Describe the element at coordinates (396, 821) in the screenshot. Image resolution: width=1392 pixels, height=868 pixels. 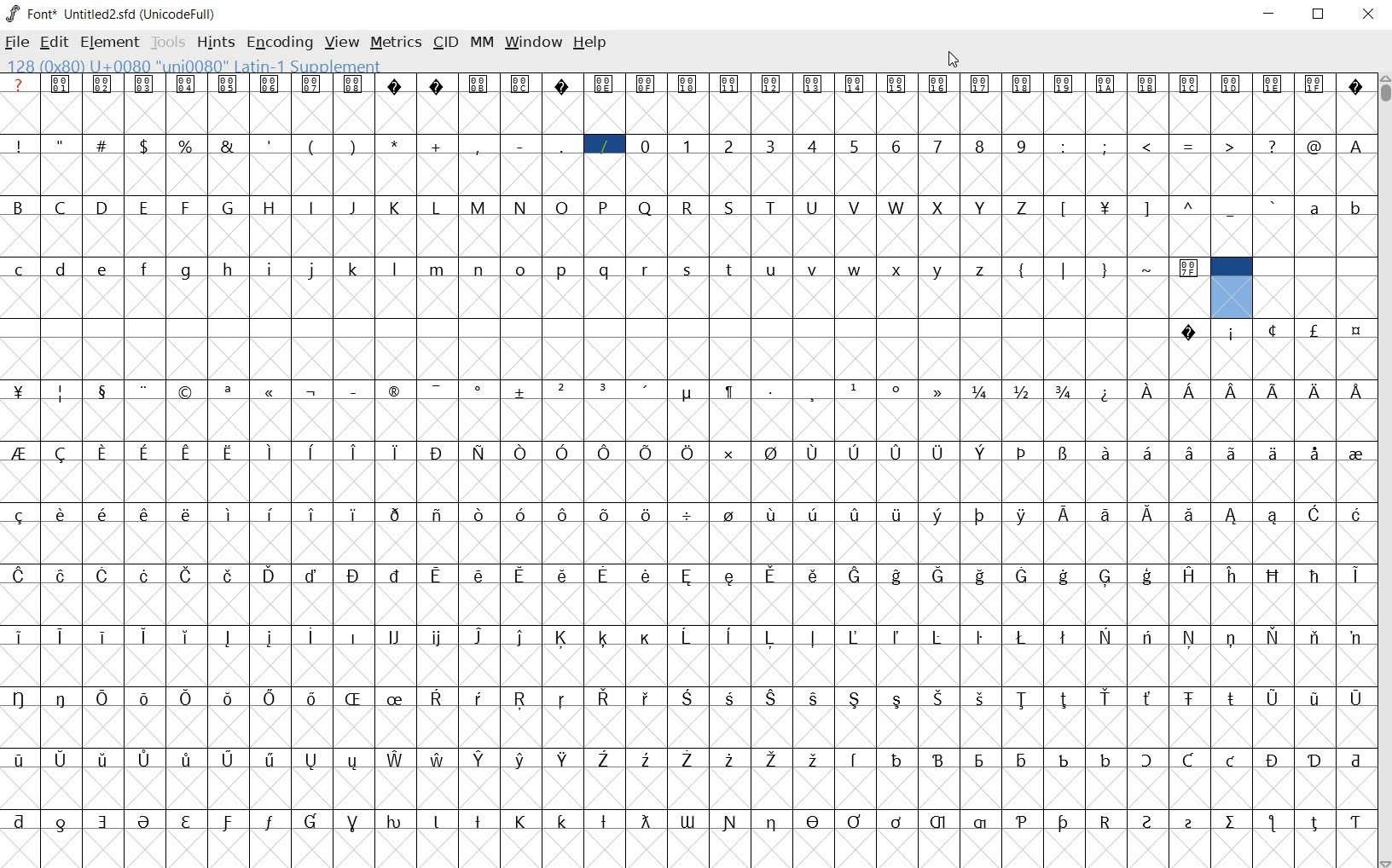
I see `Symbol` at that location.